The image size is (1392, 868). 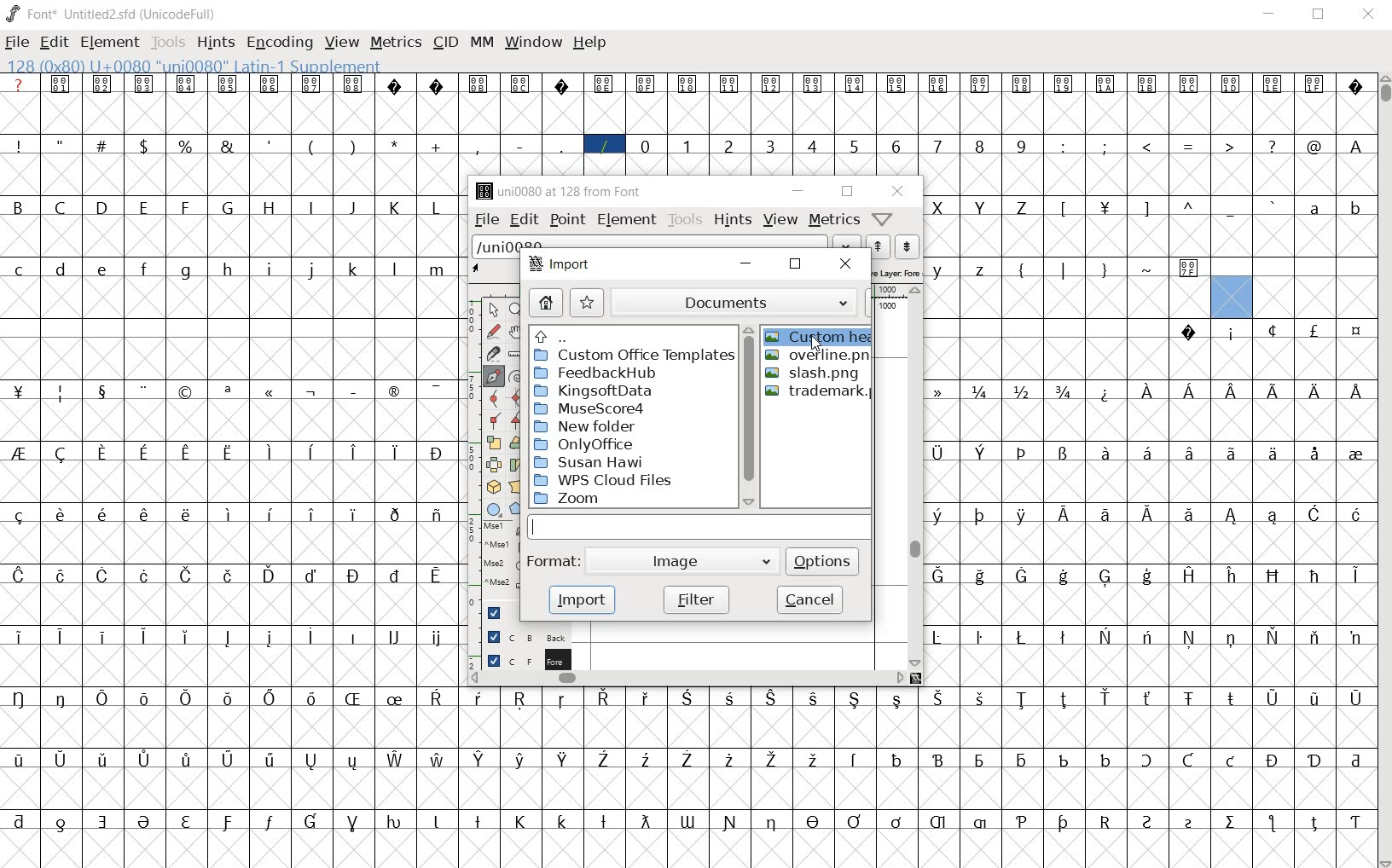 I want to click on glyph, so click(x=1145, y=760).